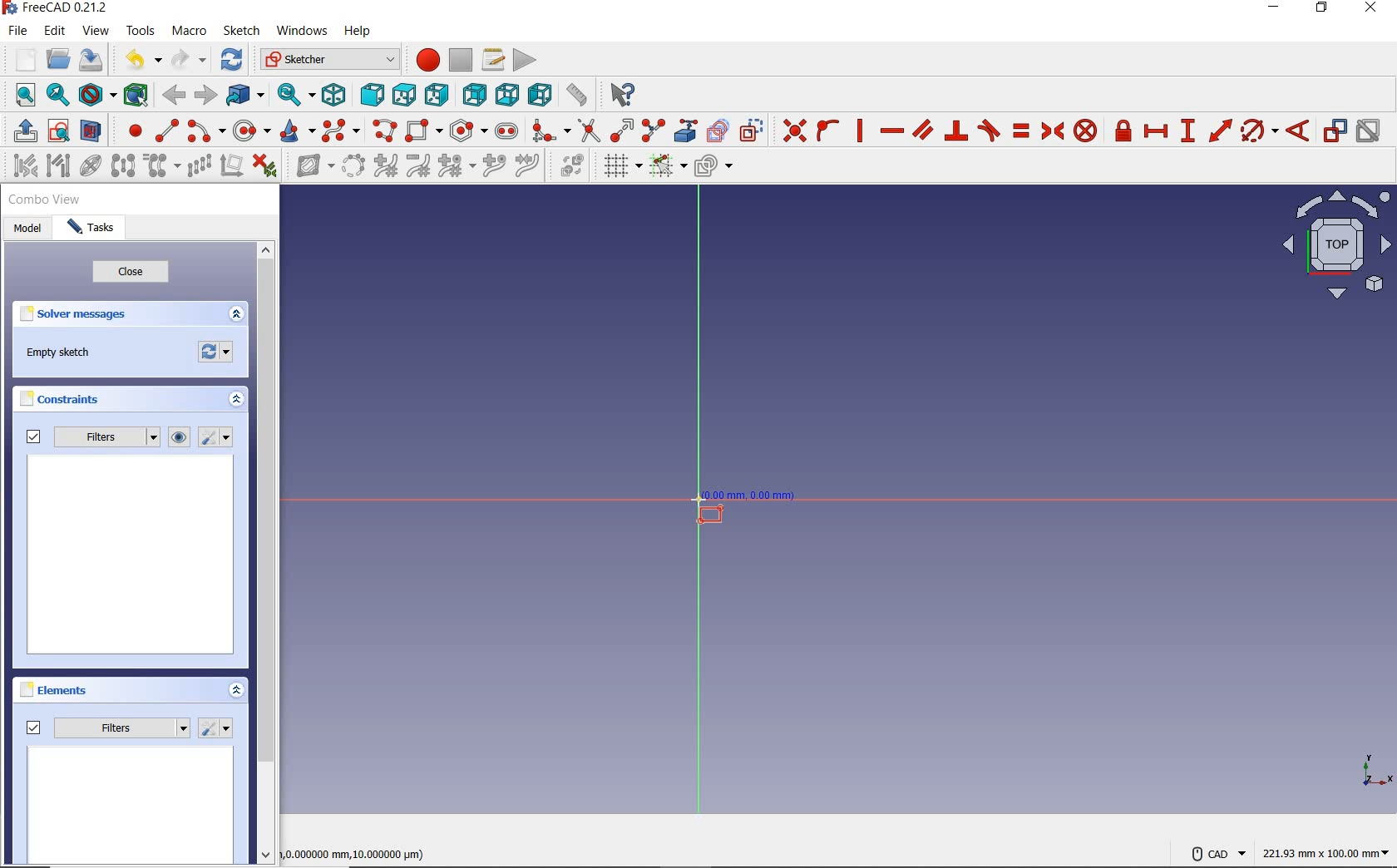 This screenshot has width=1397, height=868. I want to click on back, so click(176, 95).